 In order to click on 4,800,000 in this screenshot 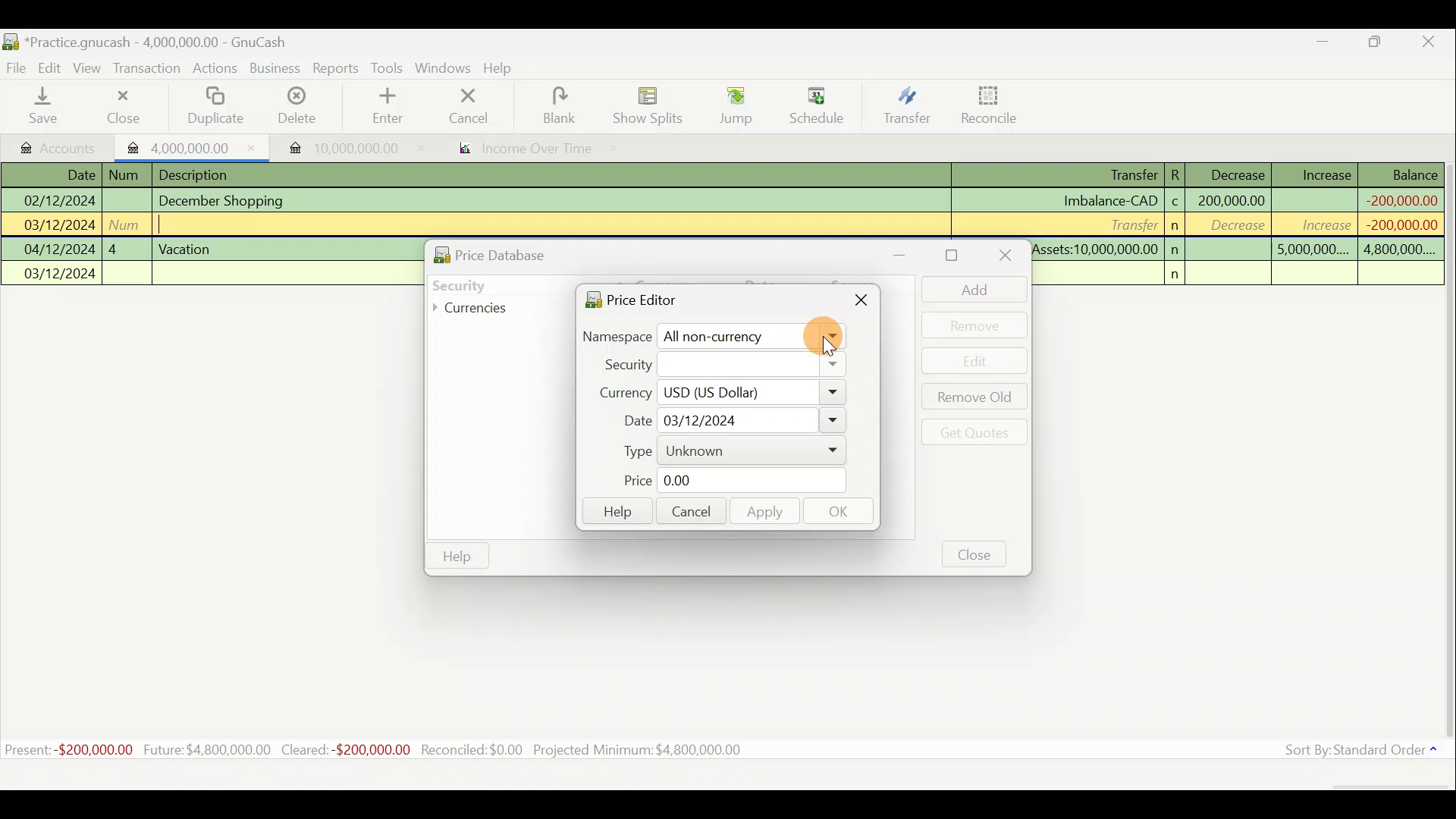, I will do `click(1398, 250)`.